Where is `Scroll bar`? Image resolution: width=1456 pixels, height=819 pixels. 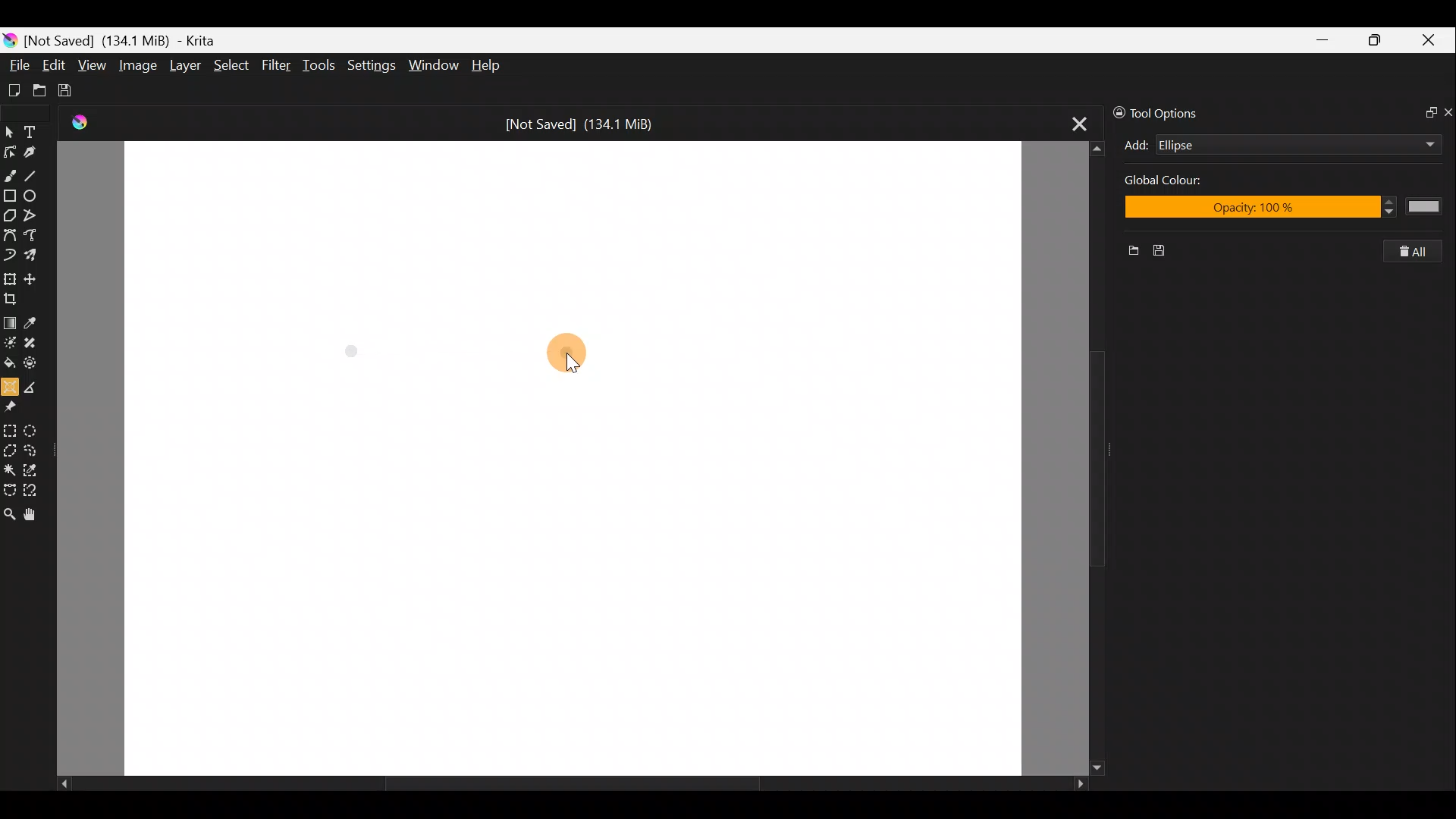
Scroll bar is located at coordinates (560, 784).